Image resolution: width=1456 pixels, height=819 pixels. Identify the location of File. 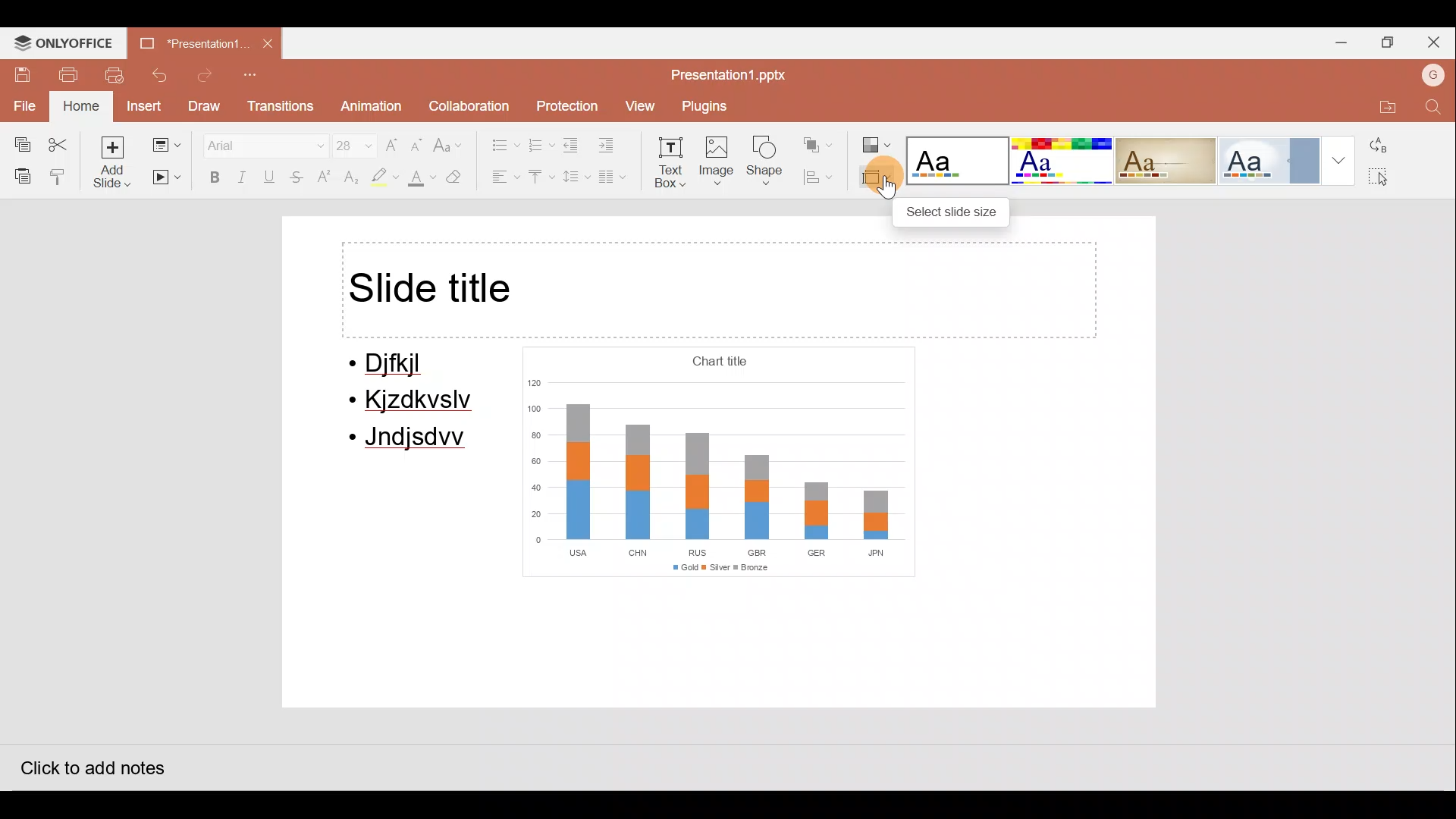
(23, 104).